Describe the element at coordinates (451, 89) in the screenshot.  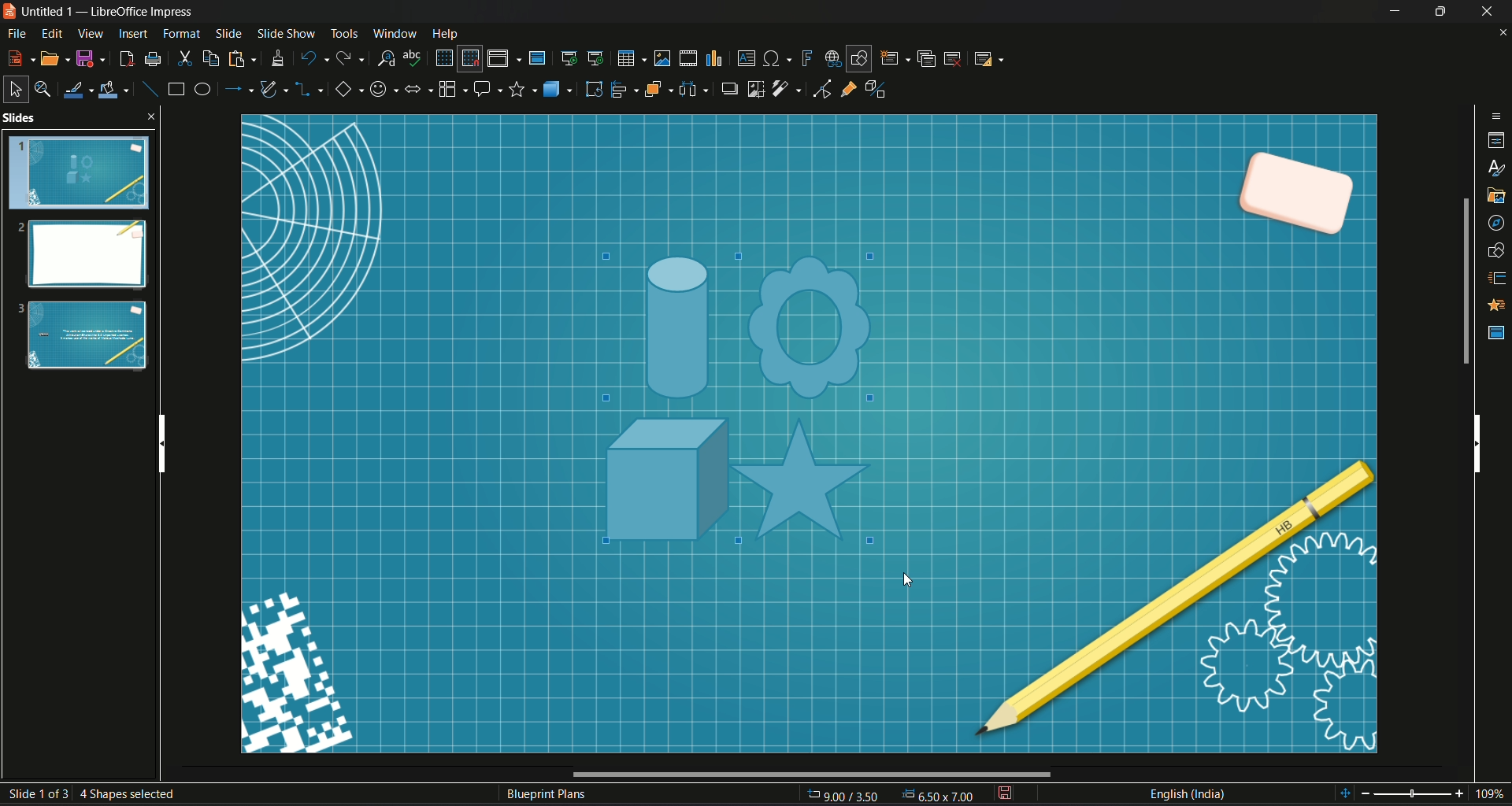
I see `flowchart` at that location.